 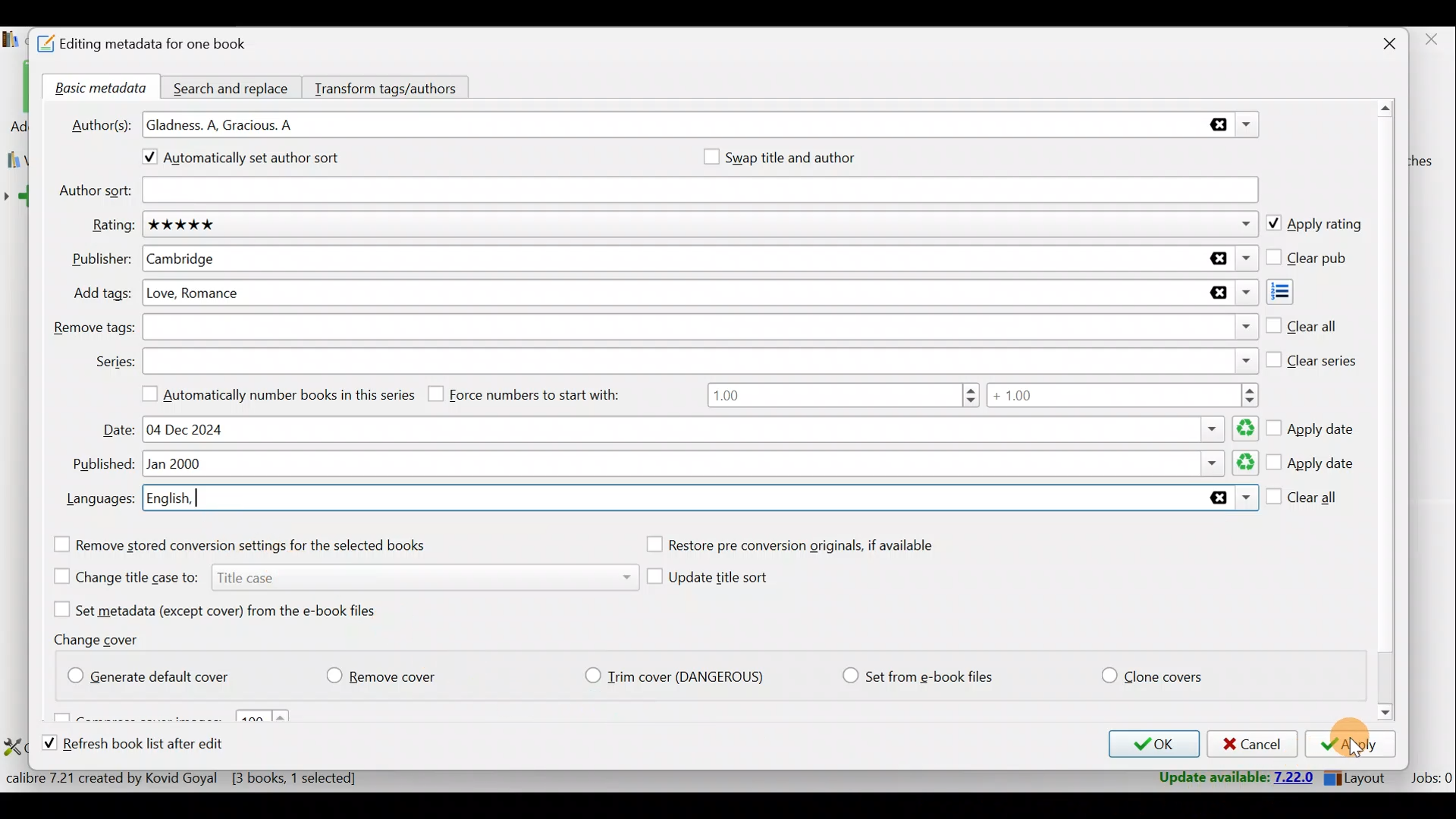 I want to click on Search and replace, so click(x=233, y=86).